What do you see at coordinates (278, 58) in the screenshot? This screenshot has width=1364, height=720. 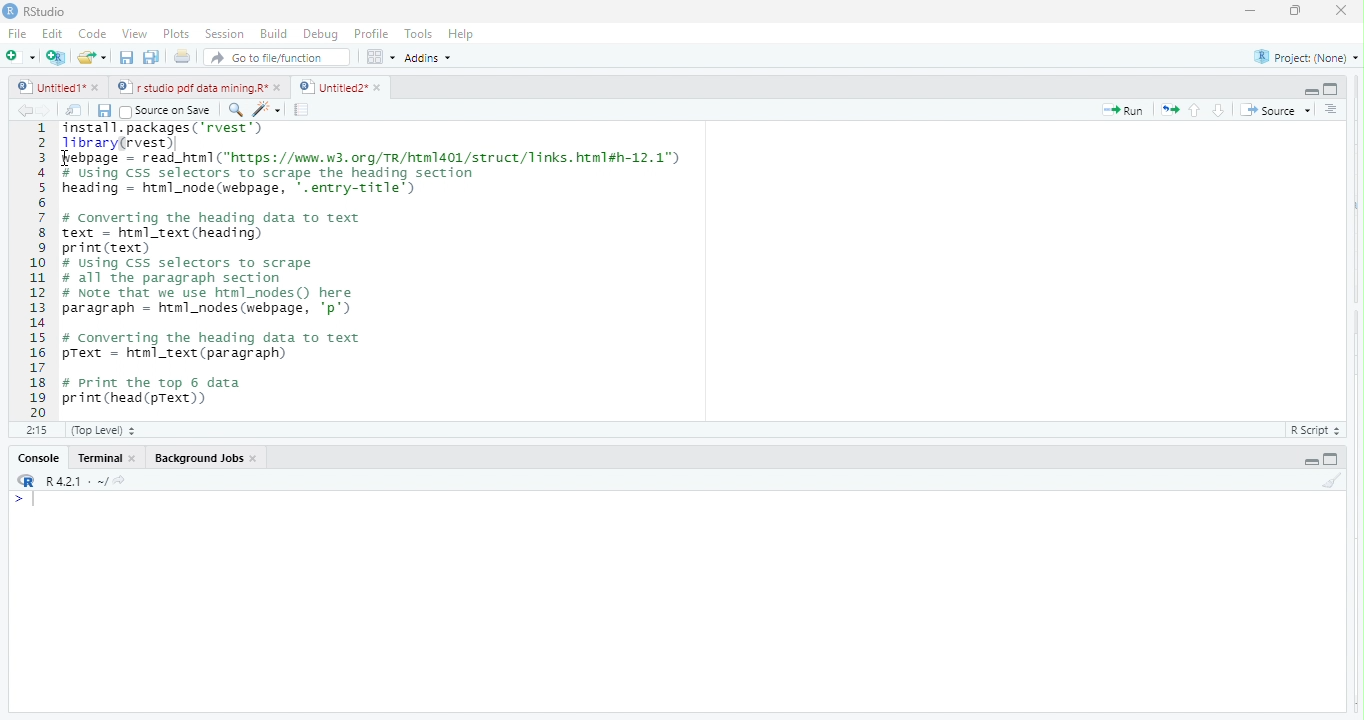 I see ` Go to file/function` at bounding box center [278, 58].